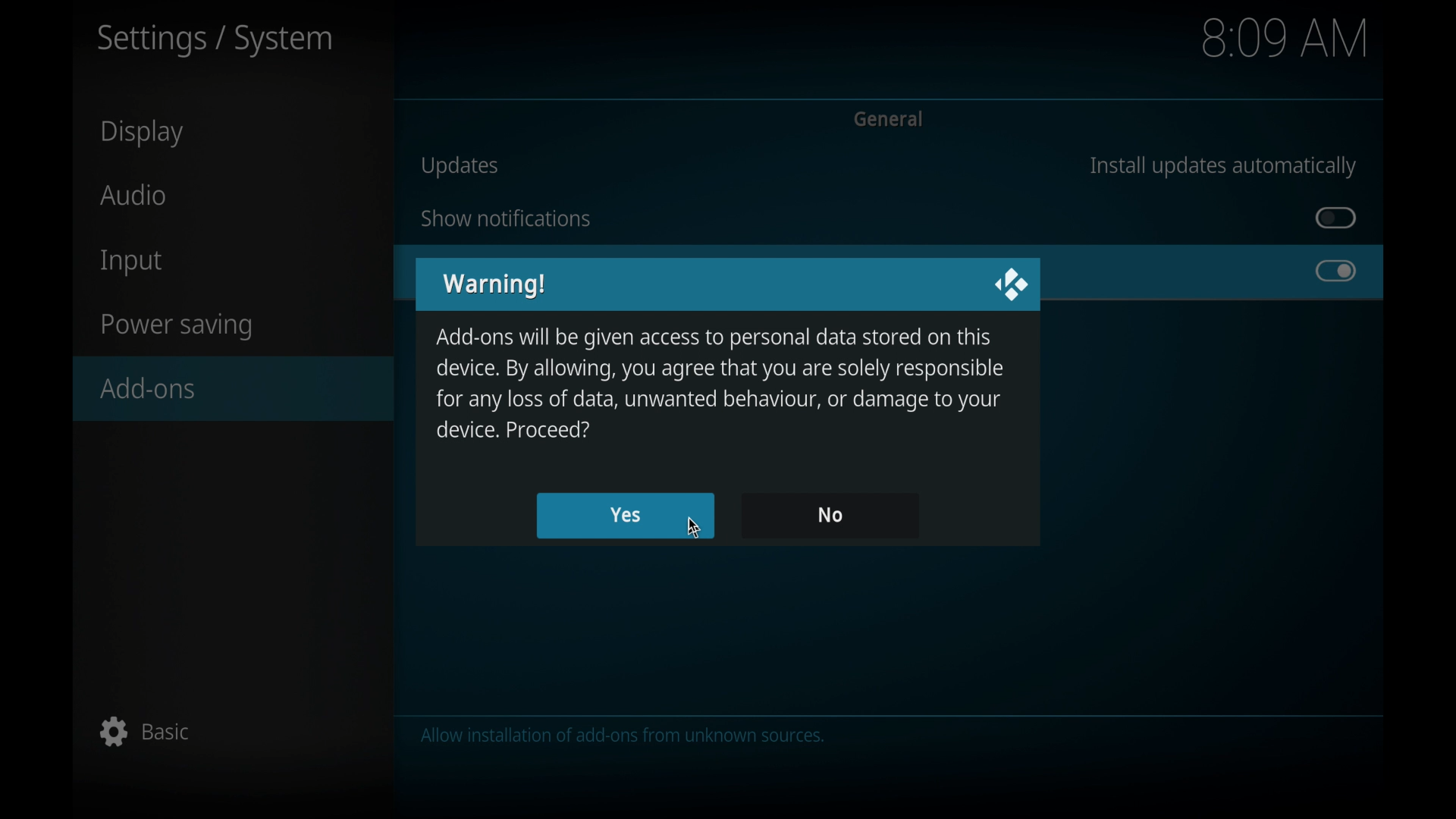 The height and width of the screenshot is (819, 1456). Describe the element at coordinates (135, 194) in the screenshot. I see `audio` at that location.